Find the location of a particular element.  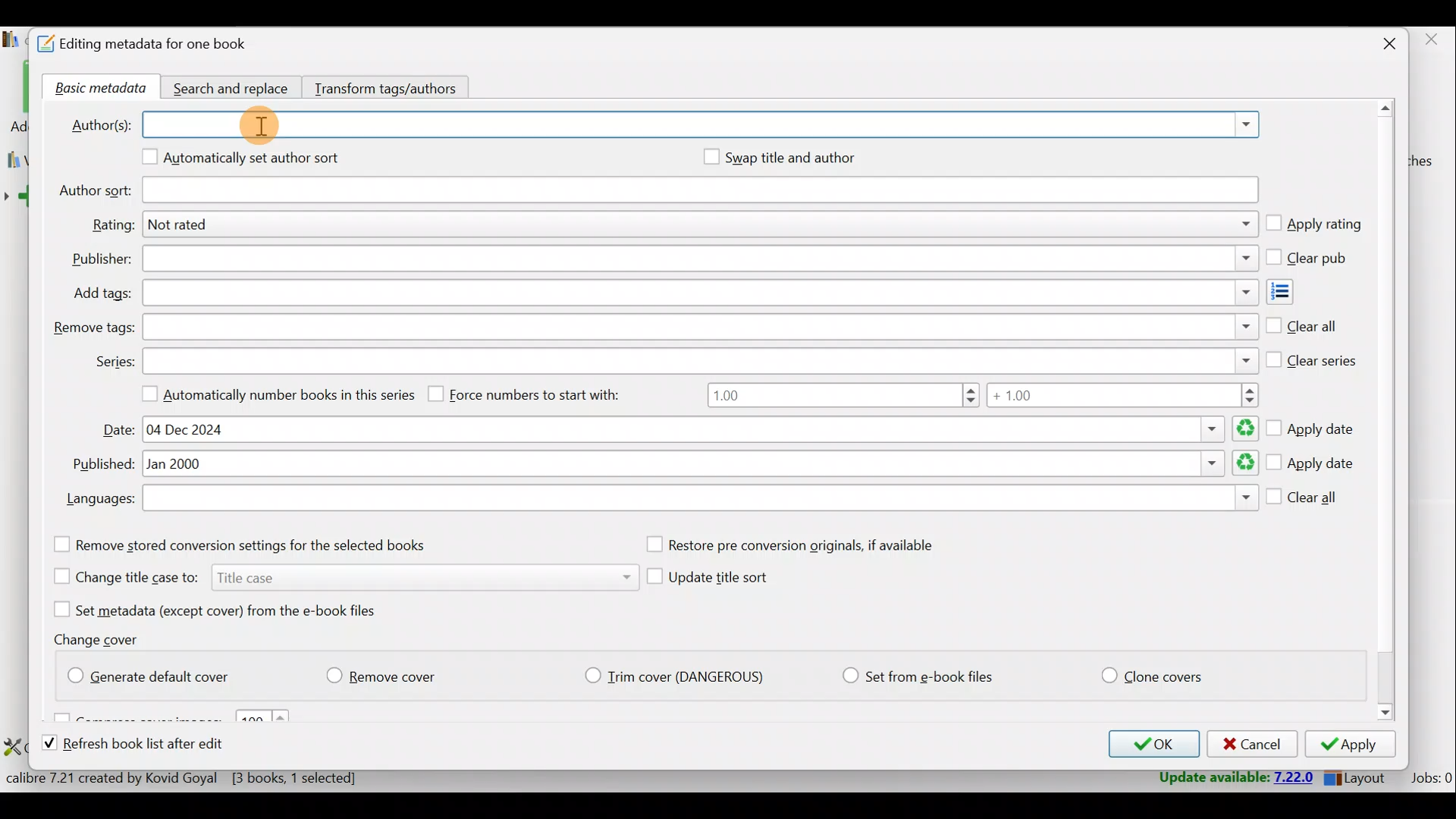

Update is located at coordinates (1234, 778).